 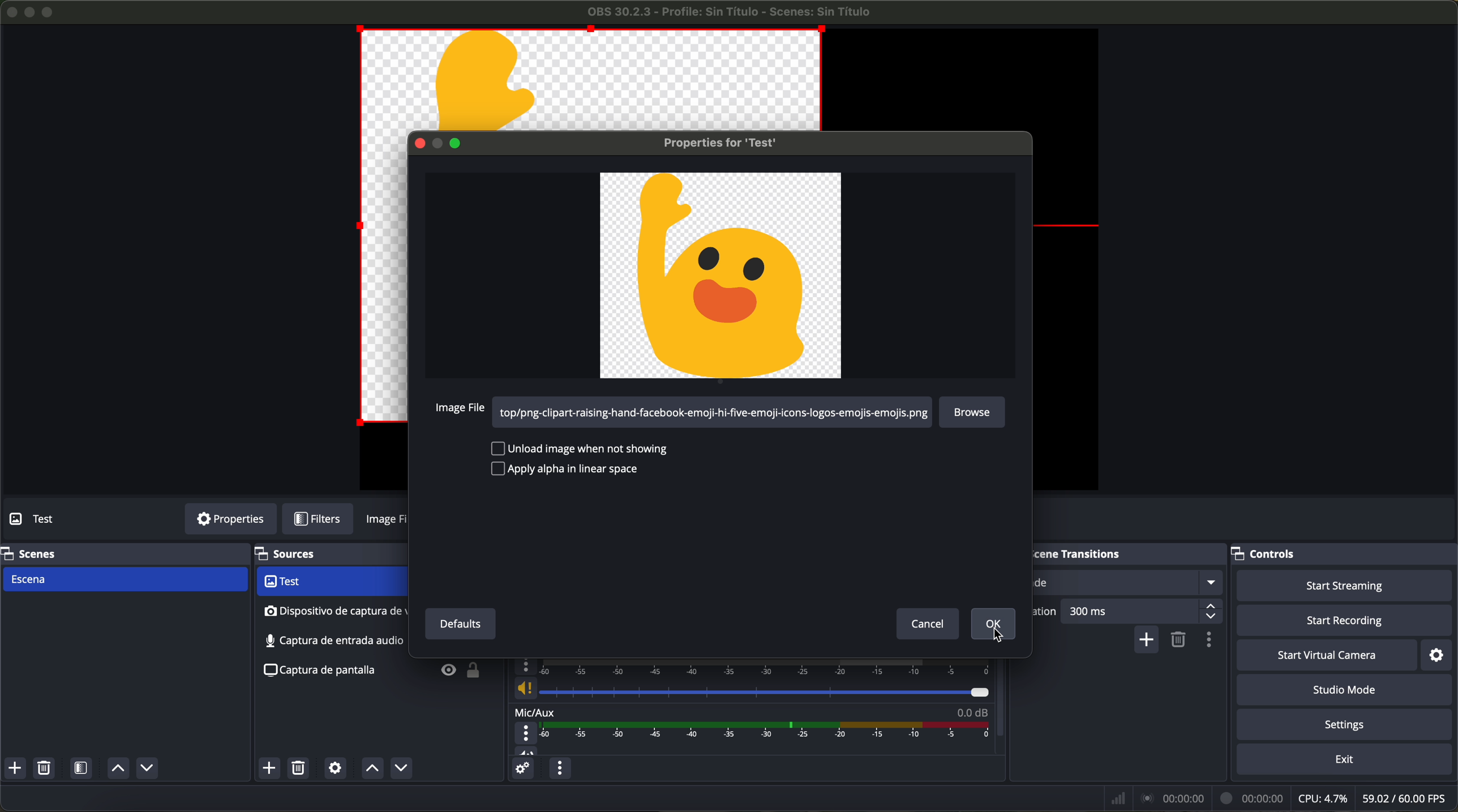 I want to click on filename, so click(x=731, y=12).